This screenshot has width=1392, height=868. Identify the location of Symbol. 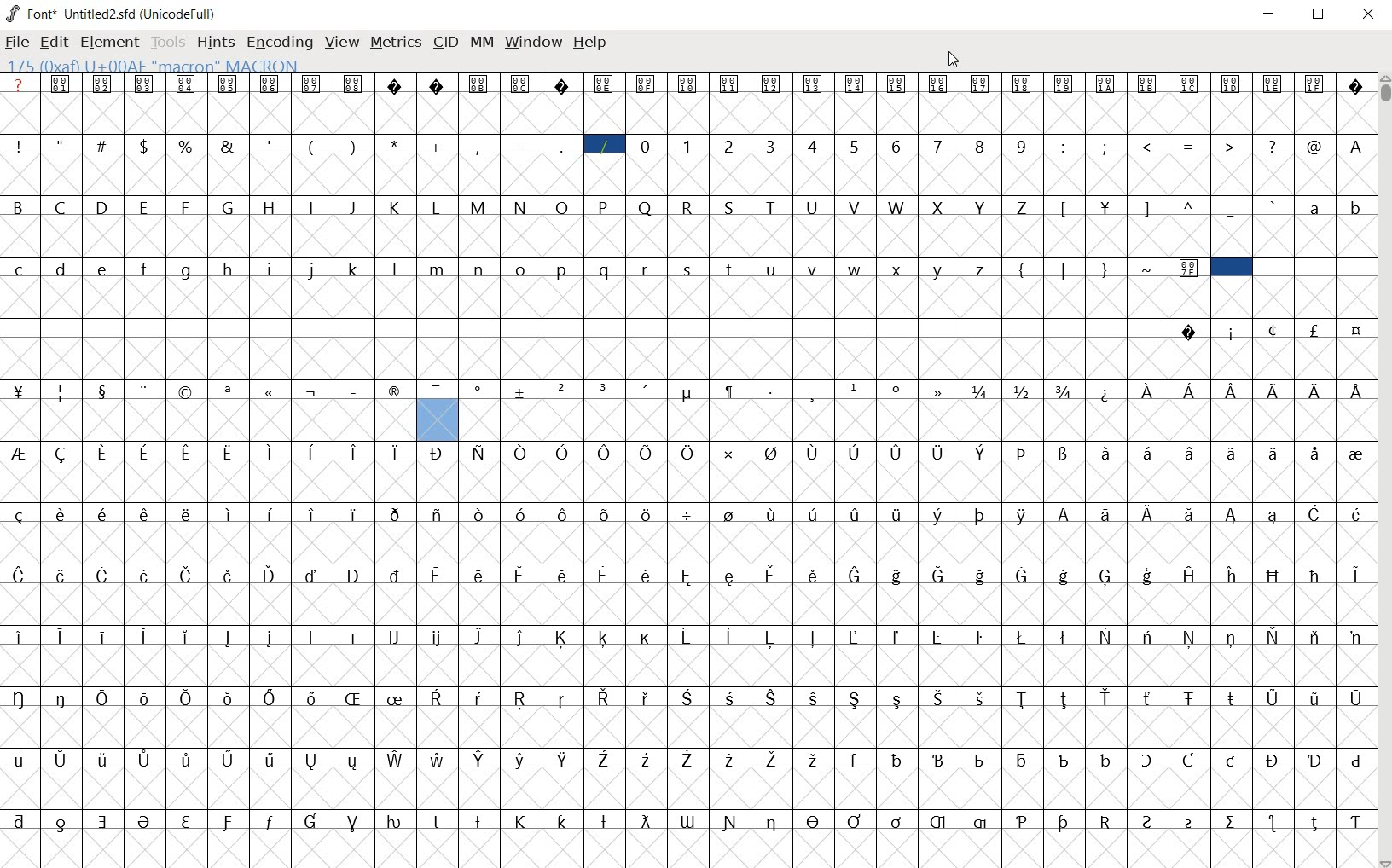
(20, 391).